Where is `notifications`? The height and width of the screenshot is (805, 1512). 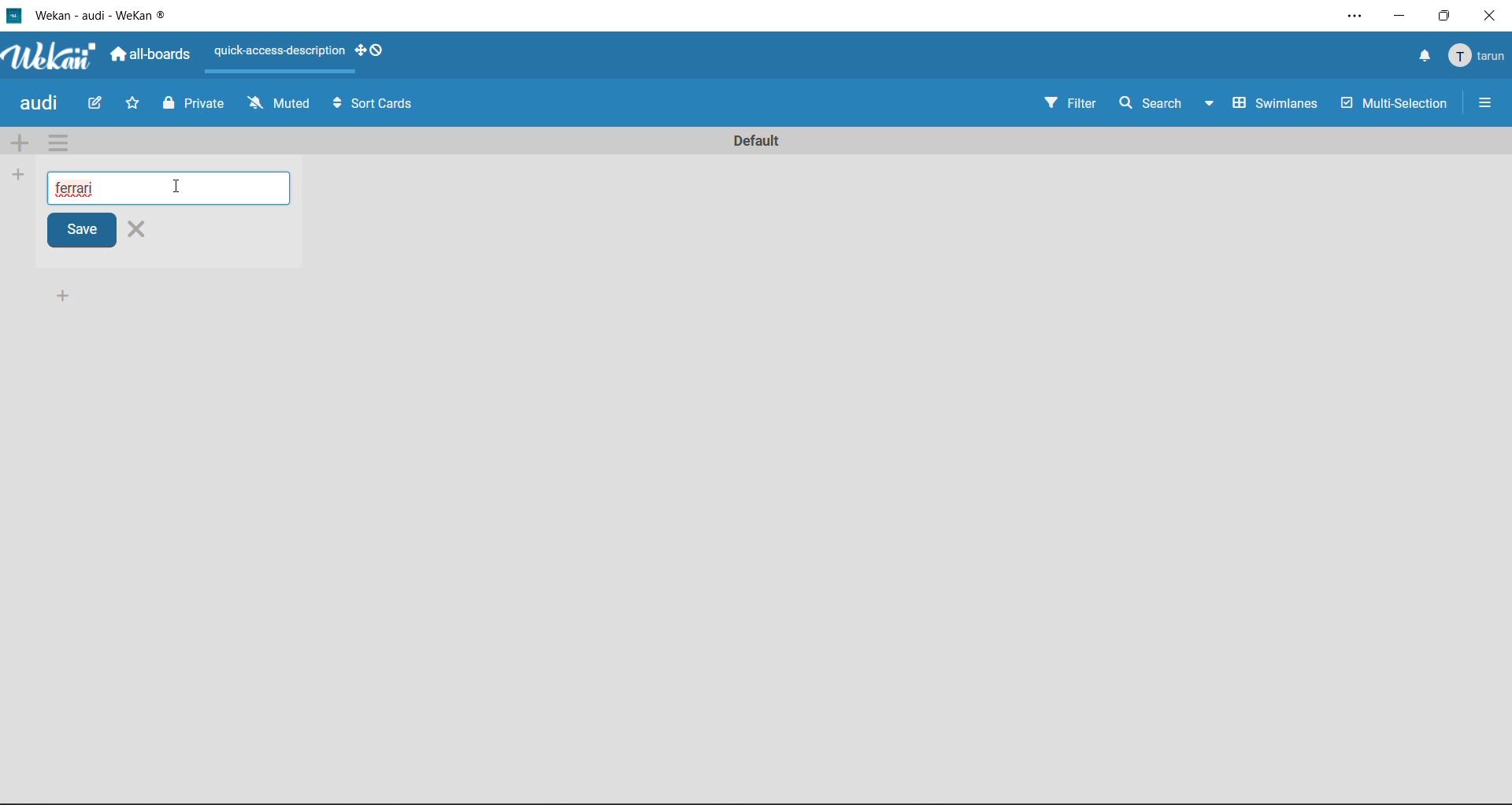
notifications is located at coordinates (1425, 57).